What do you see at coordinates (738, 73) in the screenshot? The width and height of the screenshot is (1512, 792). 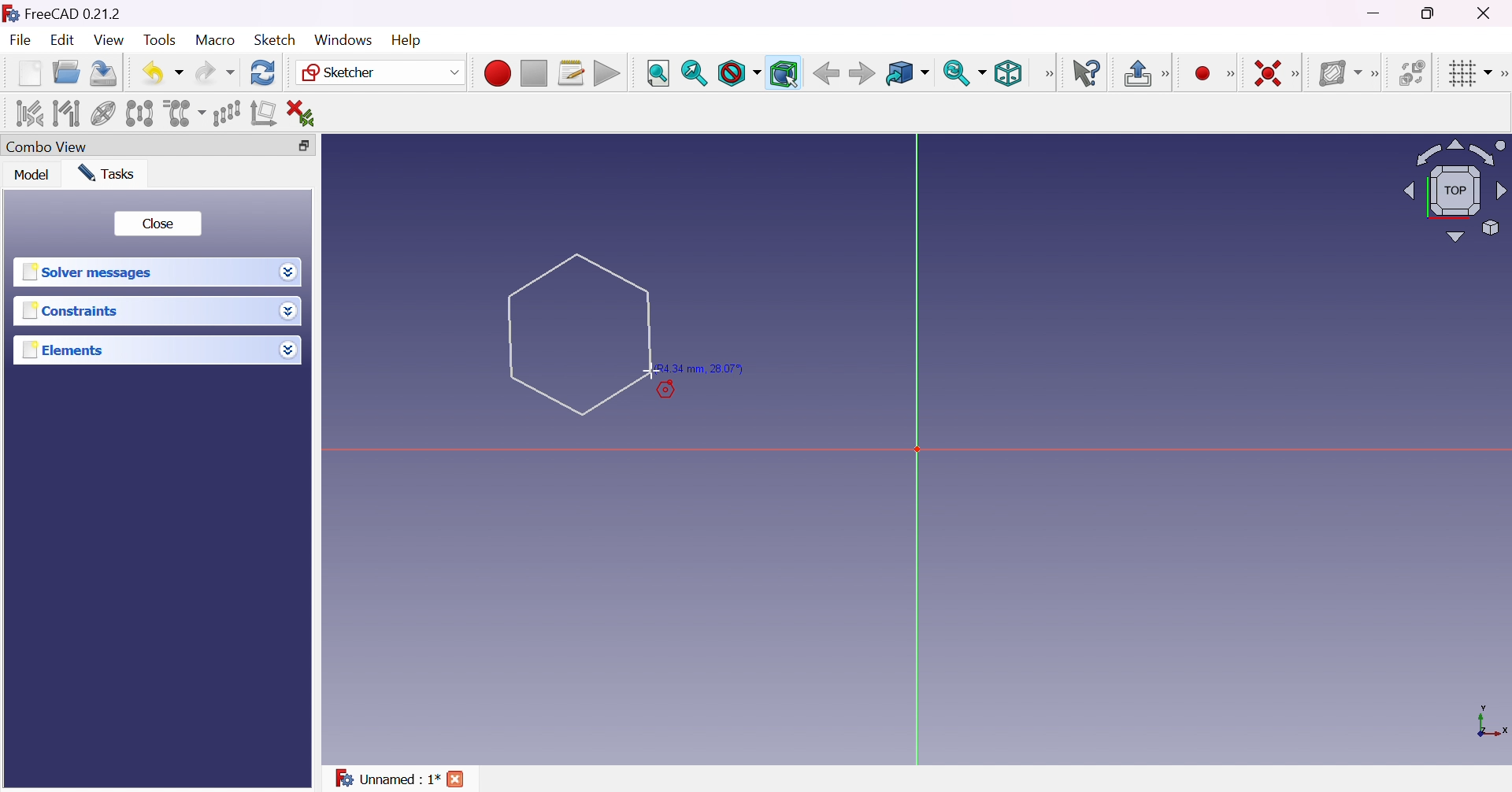 I see `Draw style` at bounding box center [738, 73].